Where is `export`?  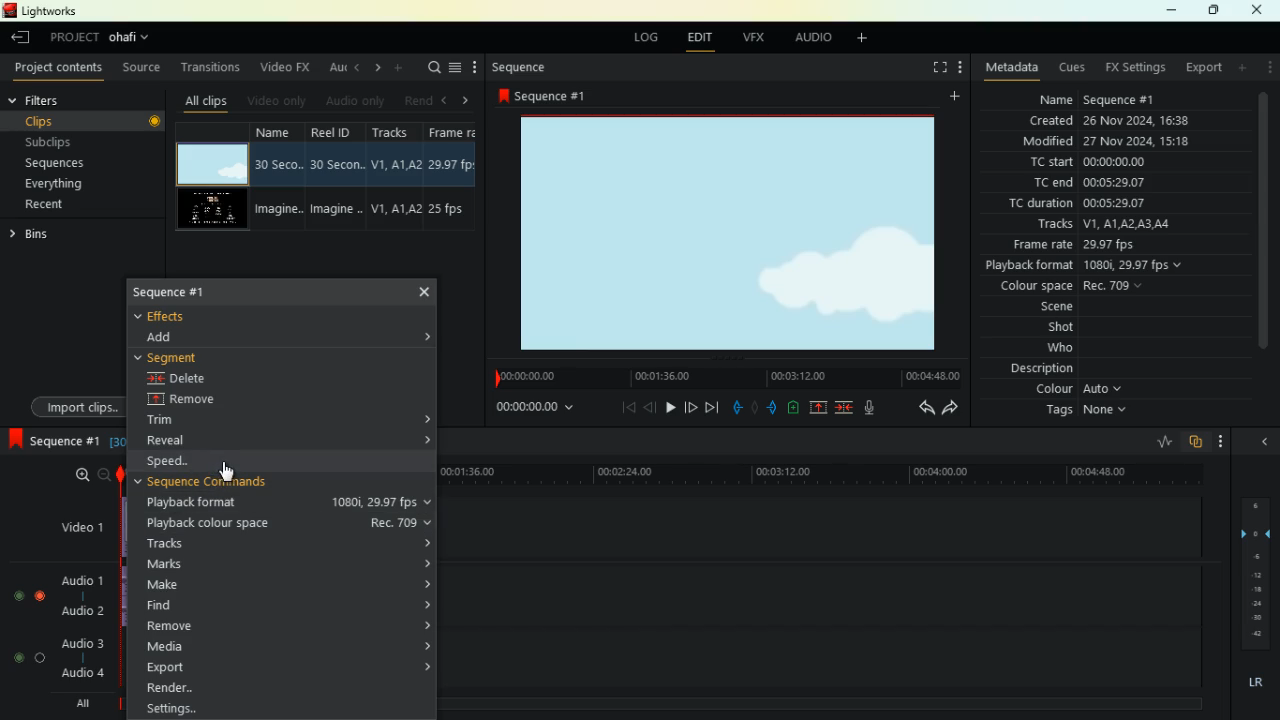 export is located at coordinates (1203, 68).